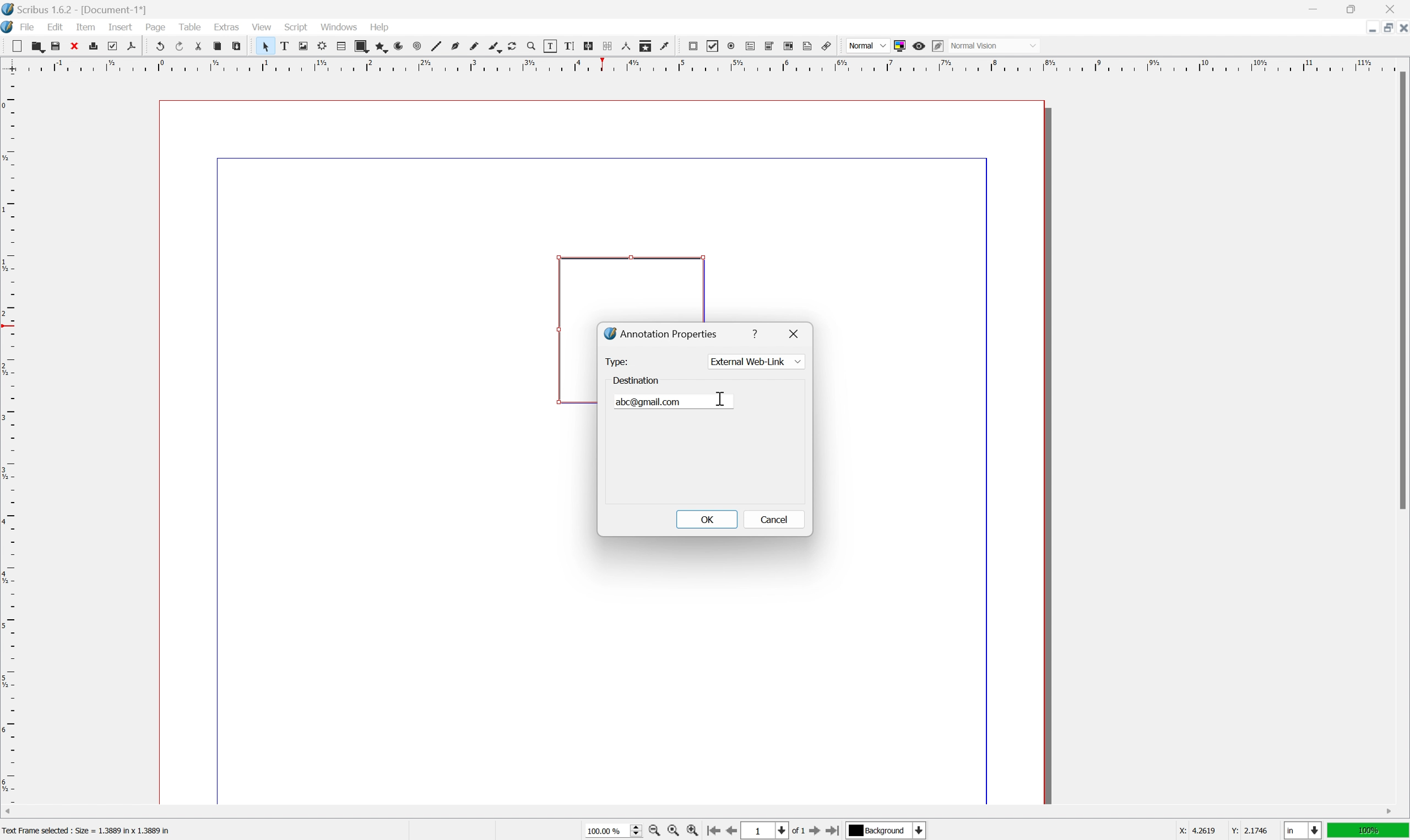  I want to click on new, so click(16, 46).